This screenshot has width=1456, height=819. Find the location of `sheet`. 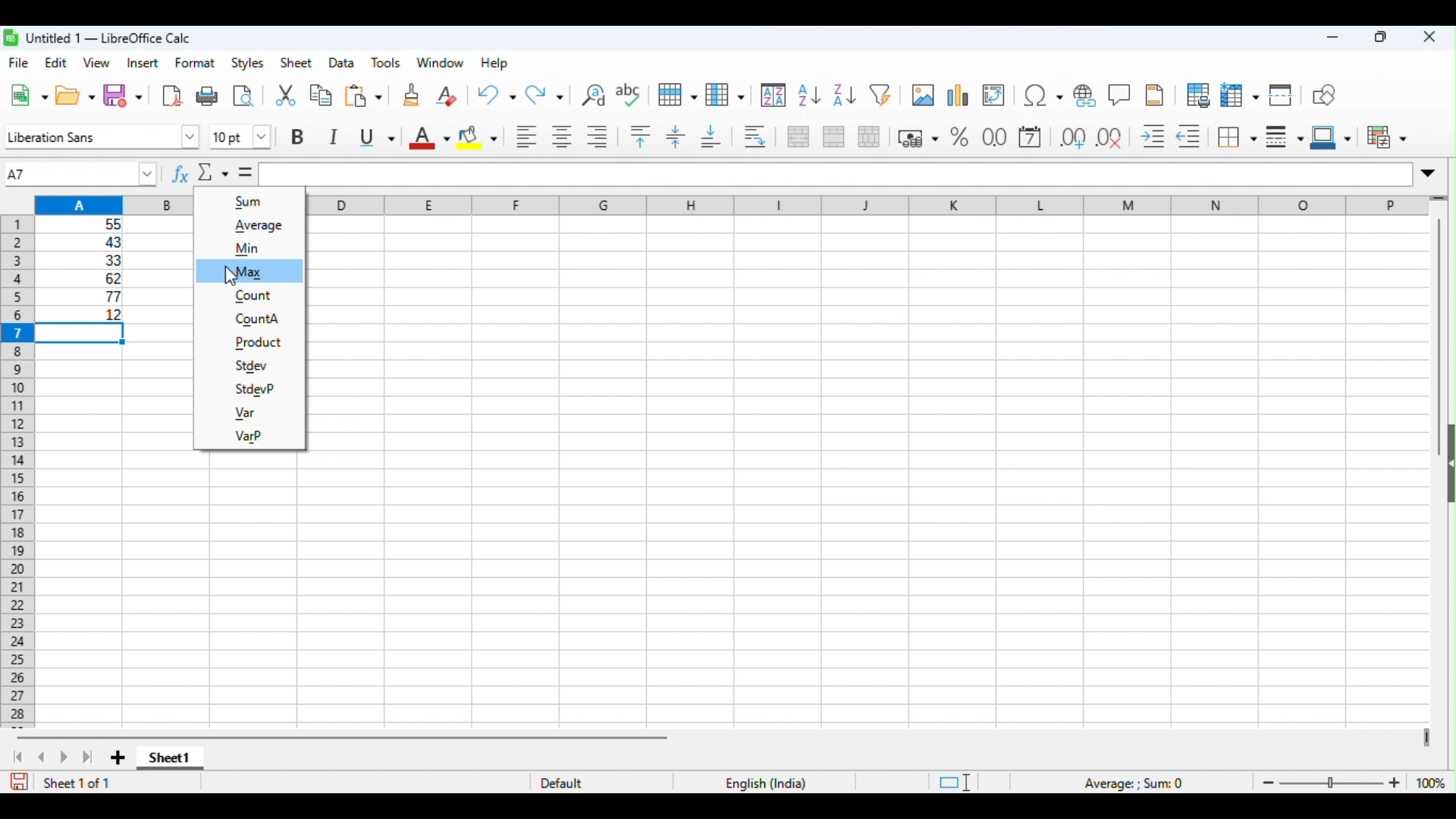

sheet is located at coordinates (296, 63).